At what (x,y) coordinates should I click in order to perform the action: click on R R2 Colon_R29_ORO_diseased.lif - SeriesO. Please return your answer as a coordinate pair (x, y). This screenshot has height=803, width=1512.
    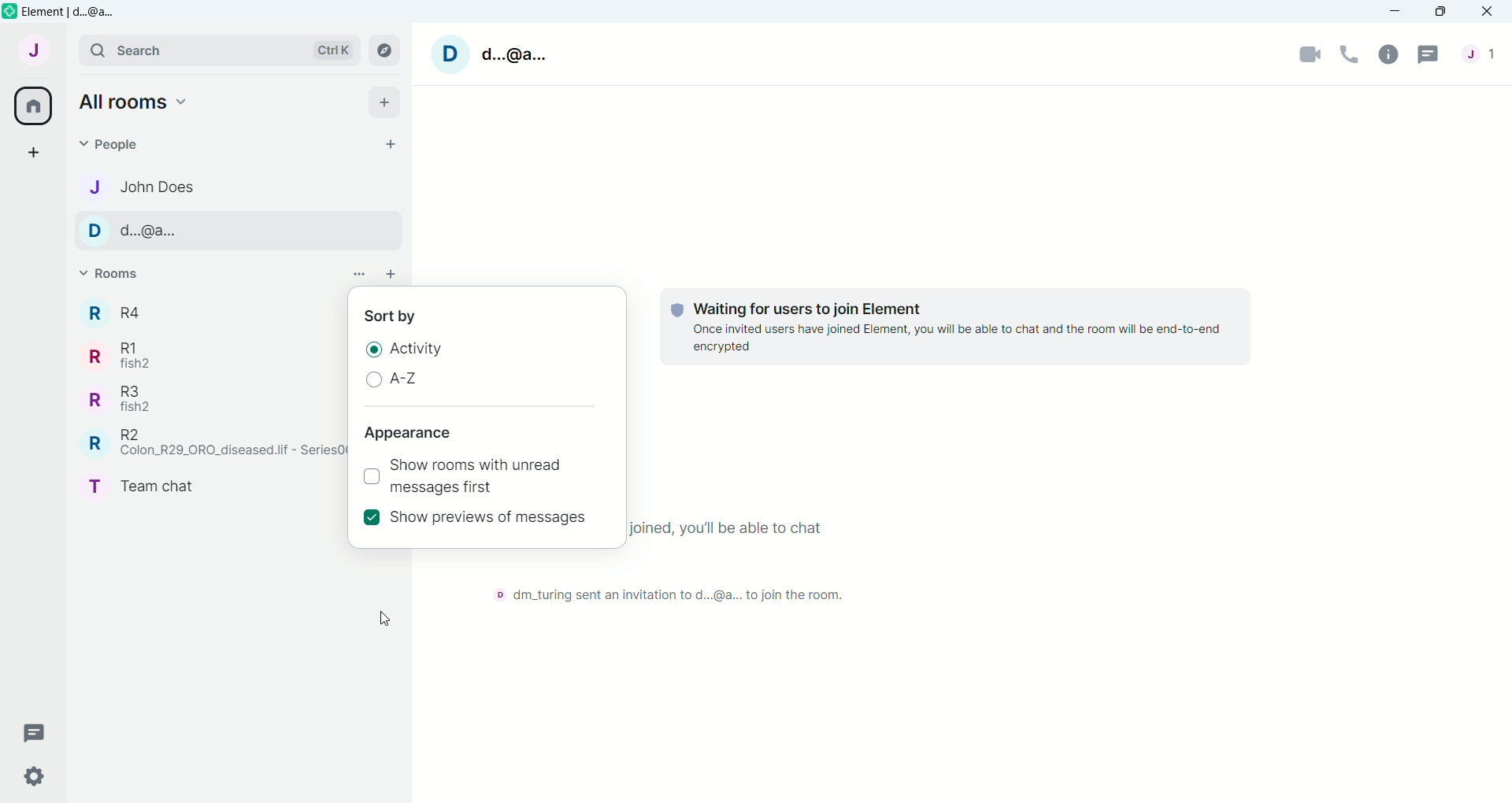
    Looking at the image, I should click on (214, 444).